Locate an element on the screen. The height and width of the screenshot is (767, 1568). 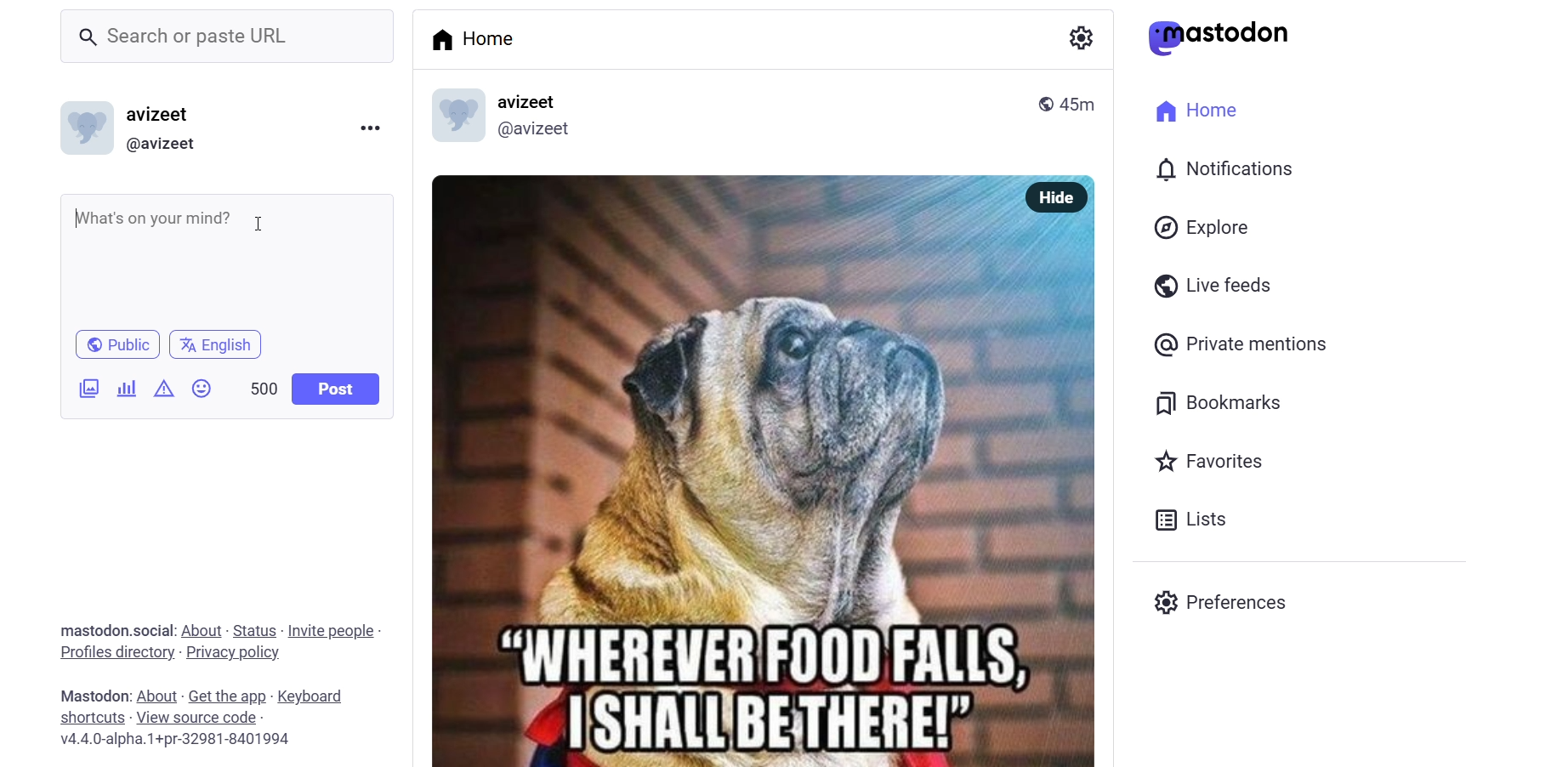
@ Private mentions is located at coordinates (1241, 345).